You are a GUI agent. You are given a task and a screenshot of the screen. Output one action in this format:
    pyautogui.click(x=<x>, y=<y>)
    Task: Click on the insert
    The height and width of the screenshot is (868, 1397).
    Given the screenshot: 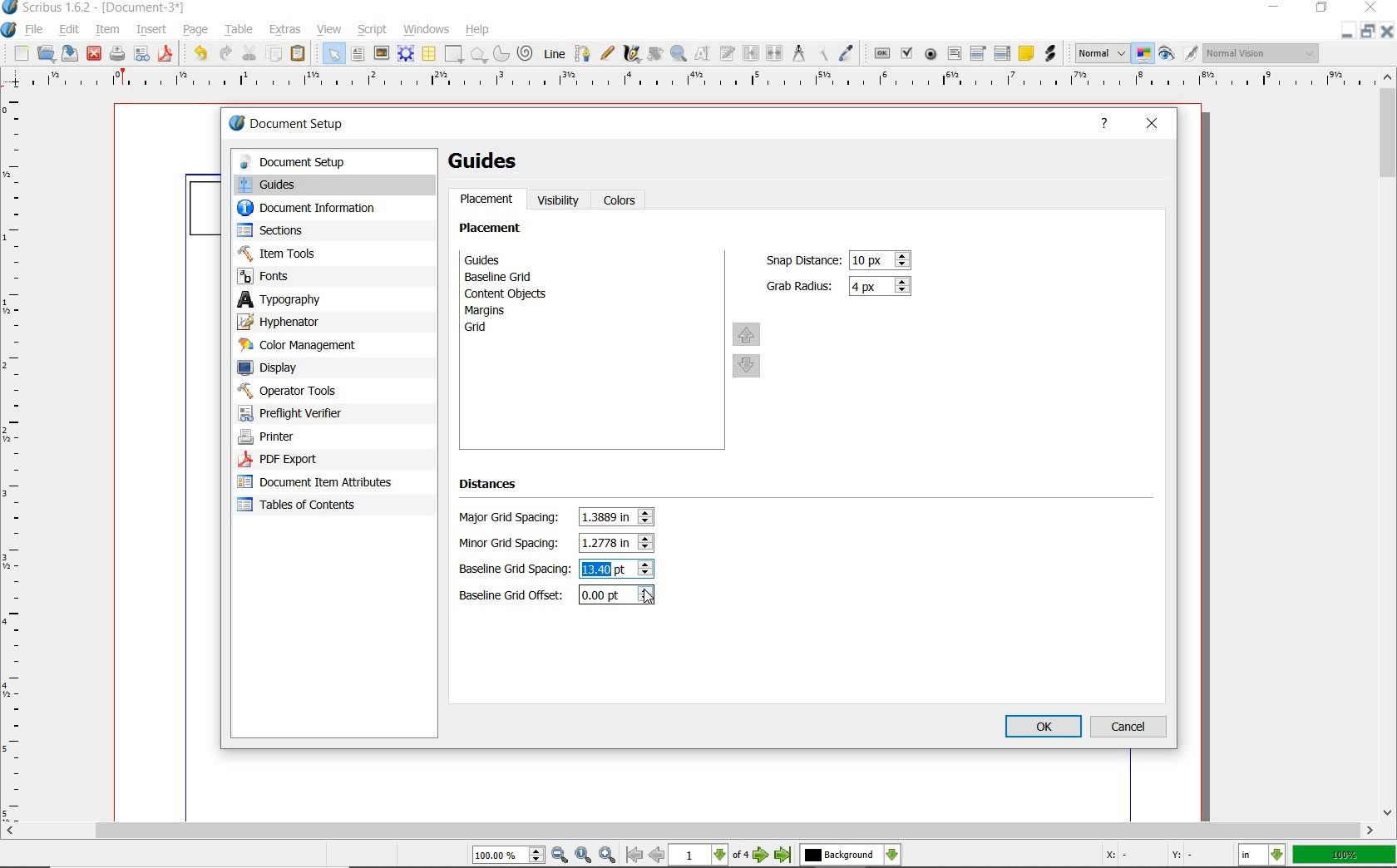 What is the action you would take?
    pyautogui.click(x=151, y=28)
    